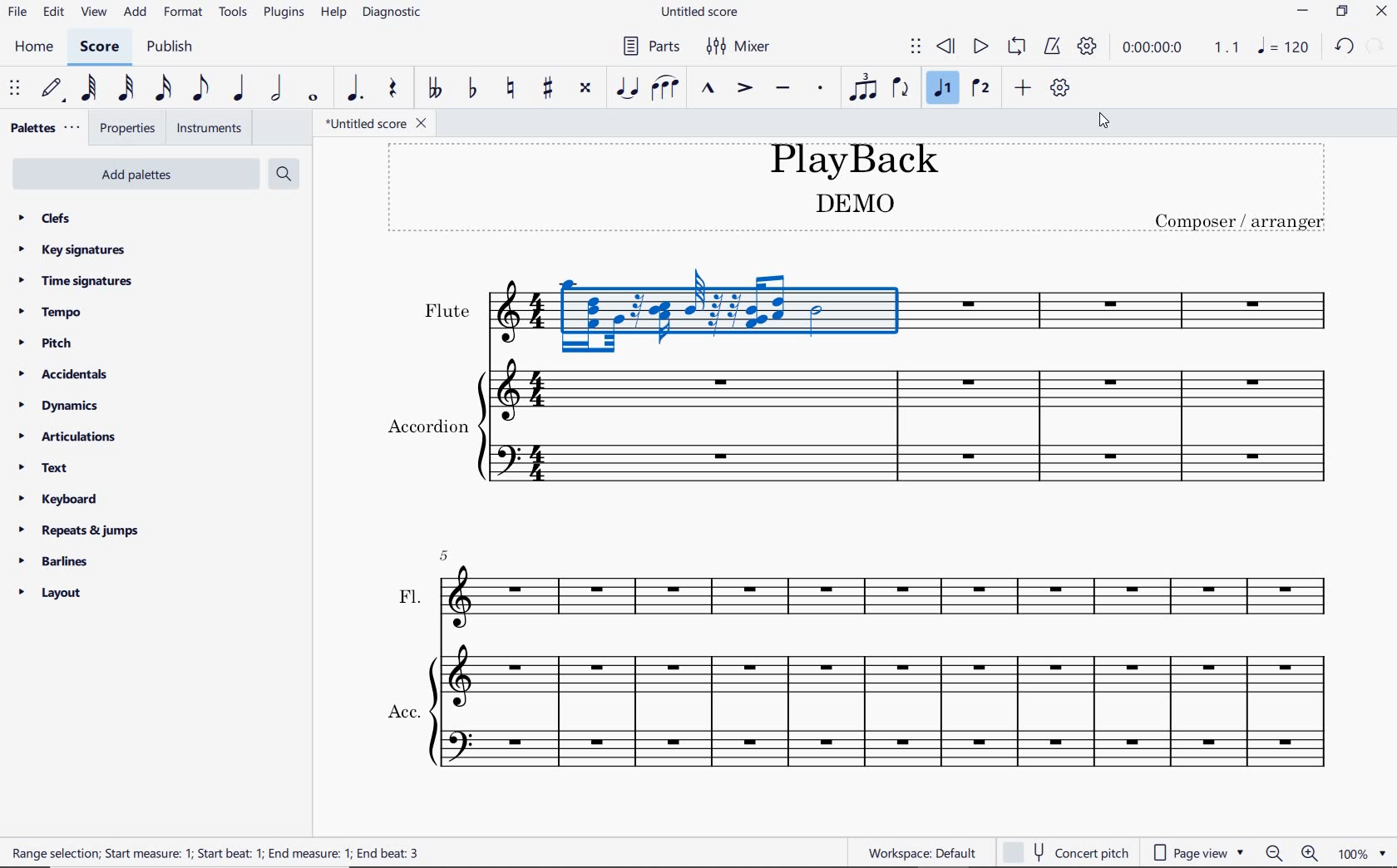 The width and height of the screenshot is (1397, 868). What do you see at coordinates (1103, 126) in the screenshot?
I see `cursor` at bounding box center [1103, 126].